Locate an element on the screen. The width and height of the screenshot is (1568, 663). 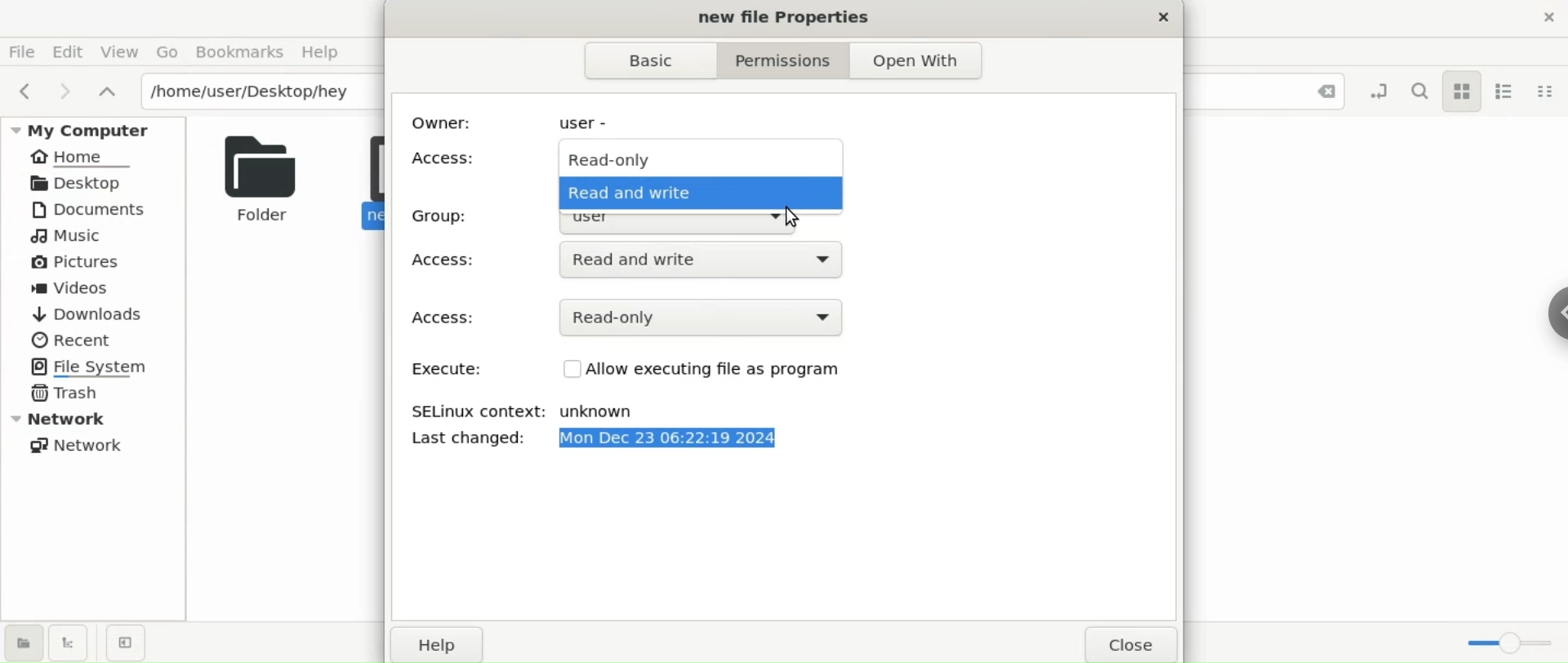
Permissions is located at coordinates (793, 59).